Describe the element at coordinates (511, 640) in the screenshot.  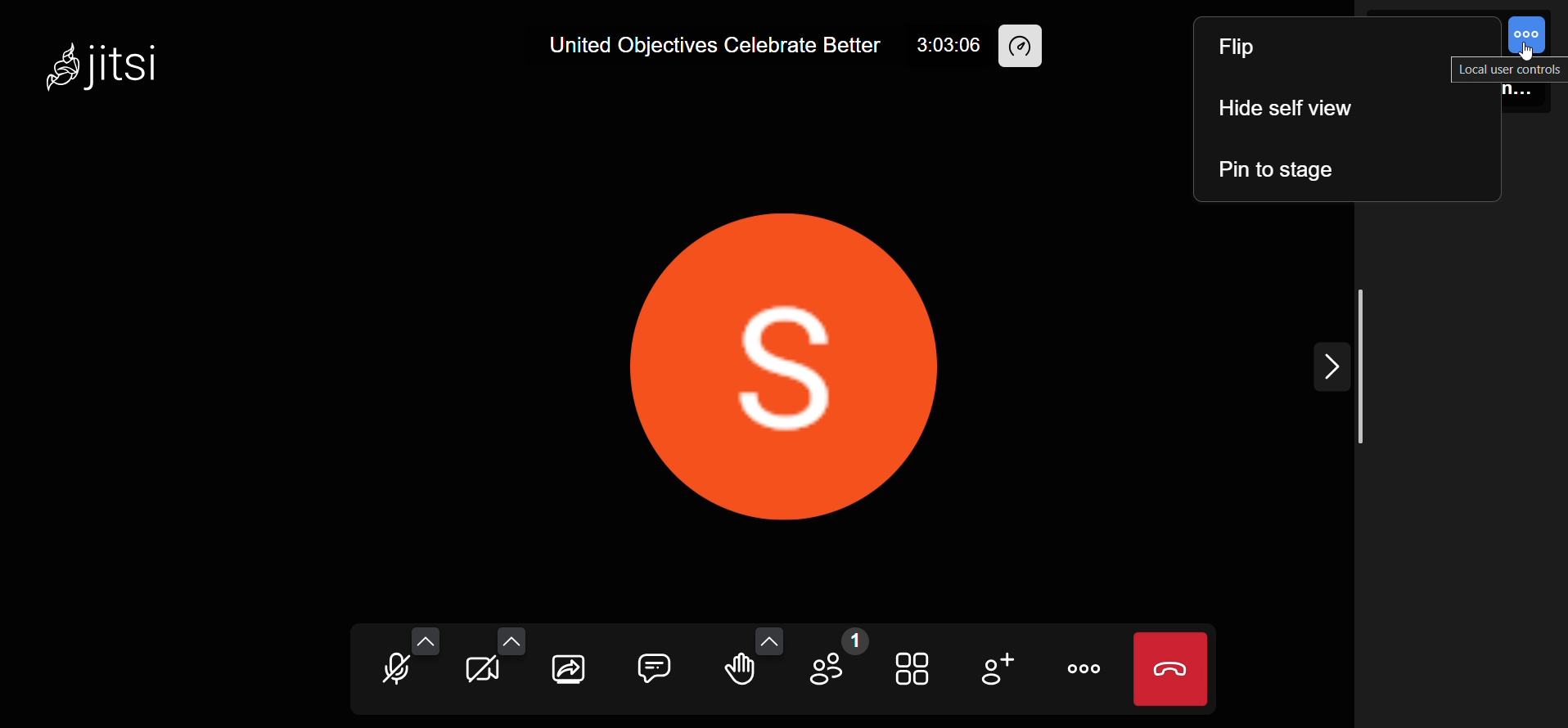
I see `more video option` at that location.